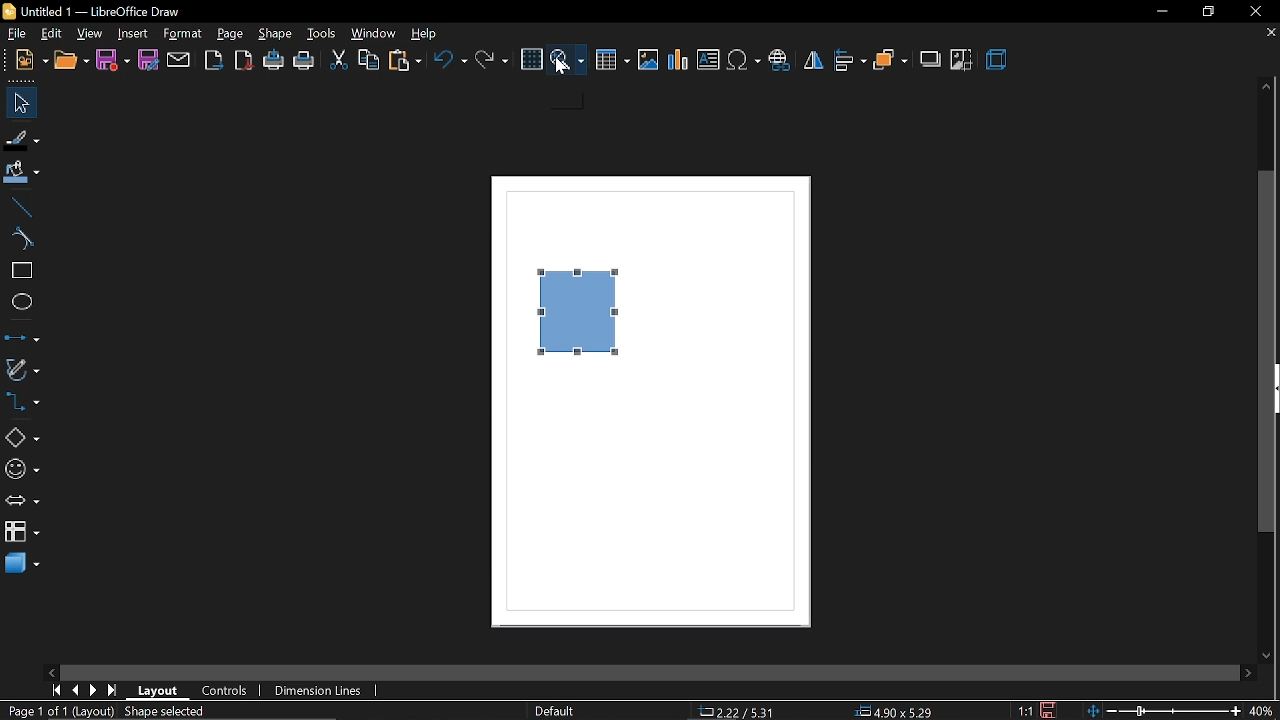  What do you see at coordinates (1266, 36) in the screenshot?
I see `close current tab` at bounding box center [1266, 36].